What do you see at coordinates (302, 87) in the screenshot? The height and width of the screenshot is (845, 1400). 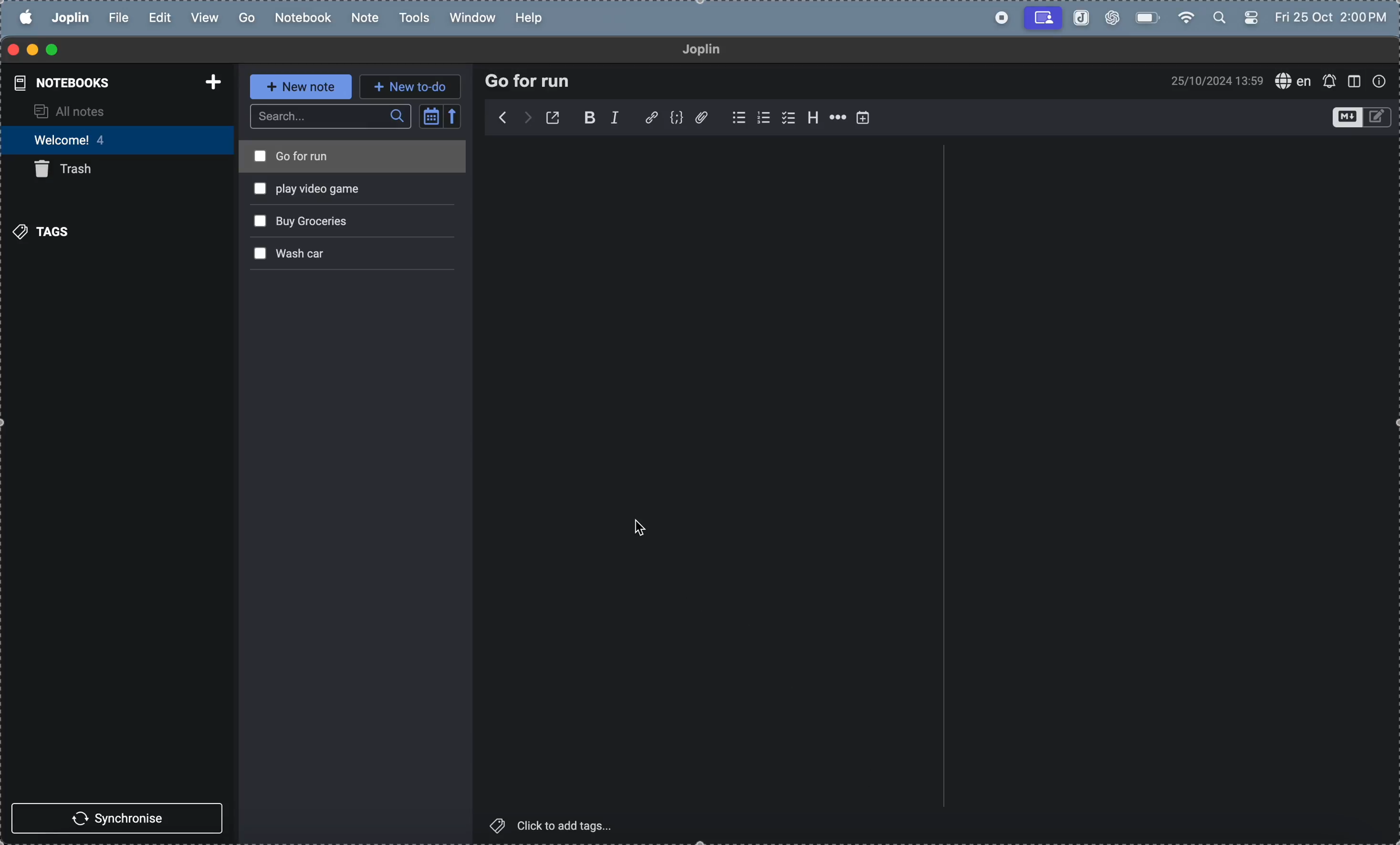 I see `new note` at bounding box center [302, 87].